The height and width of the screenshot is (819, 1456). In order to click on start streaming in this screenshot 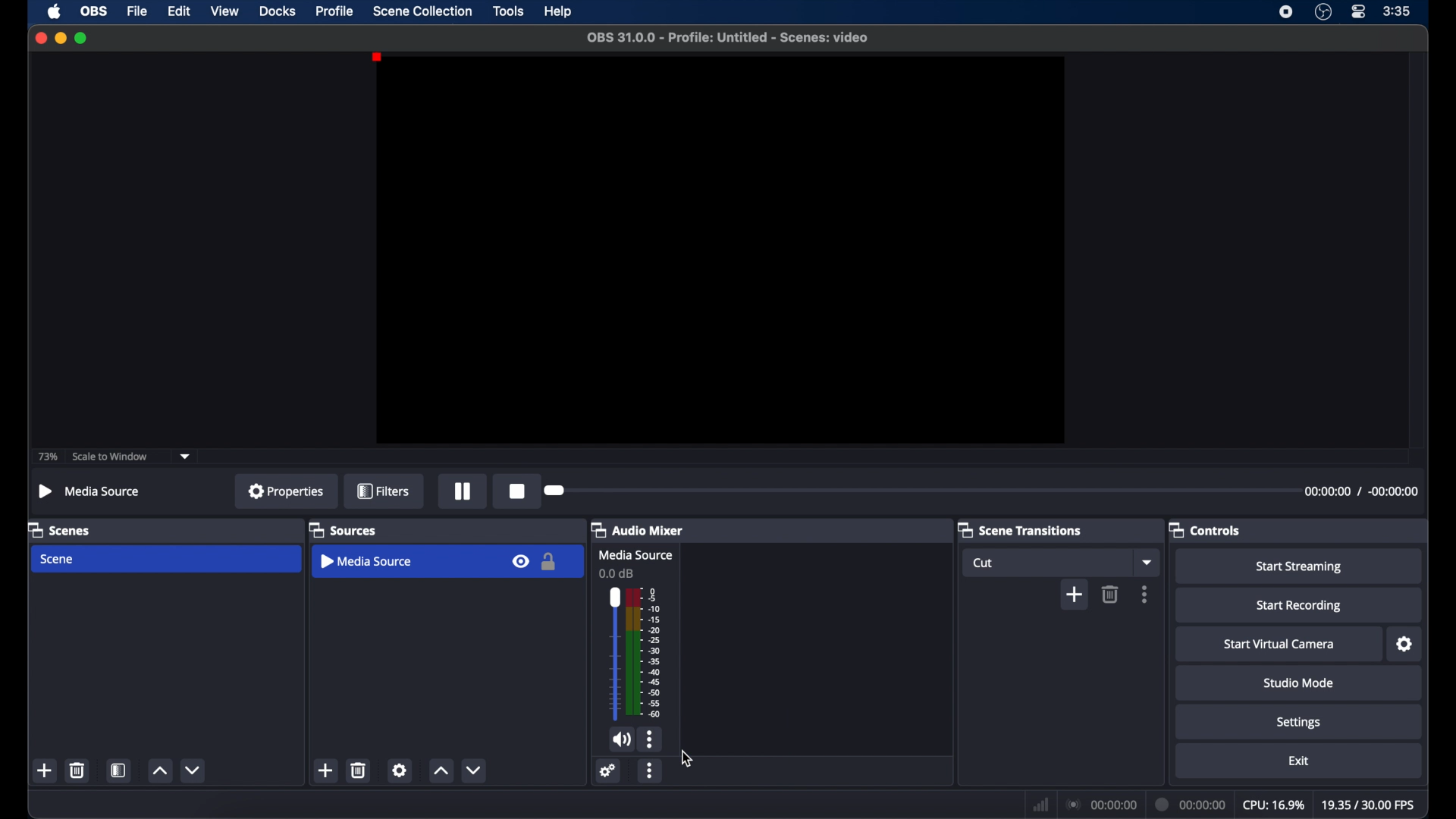, I will do `click(1301, 566)`.